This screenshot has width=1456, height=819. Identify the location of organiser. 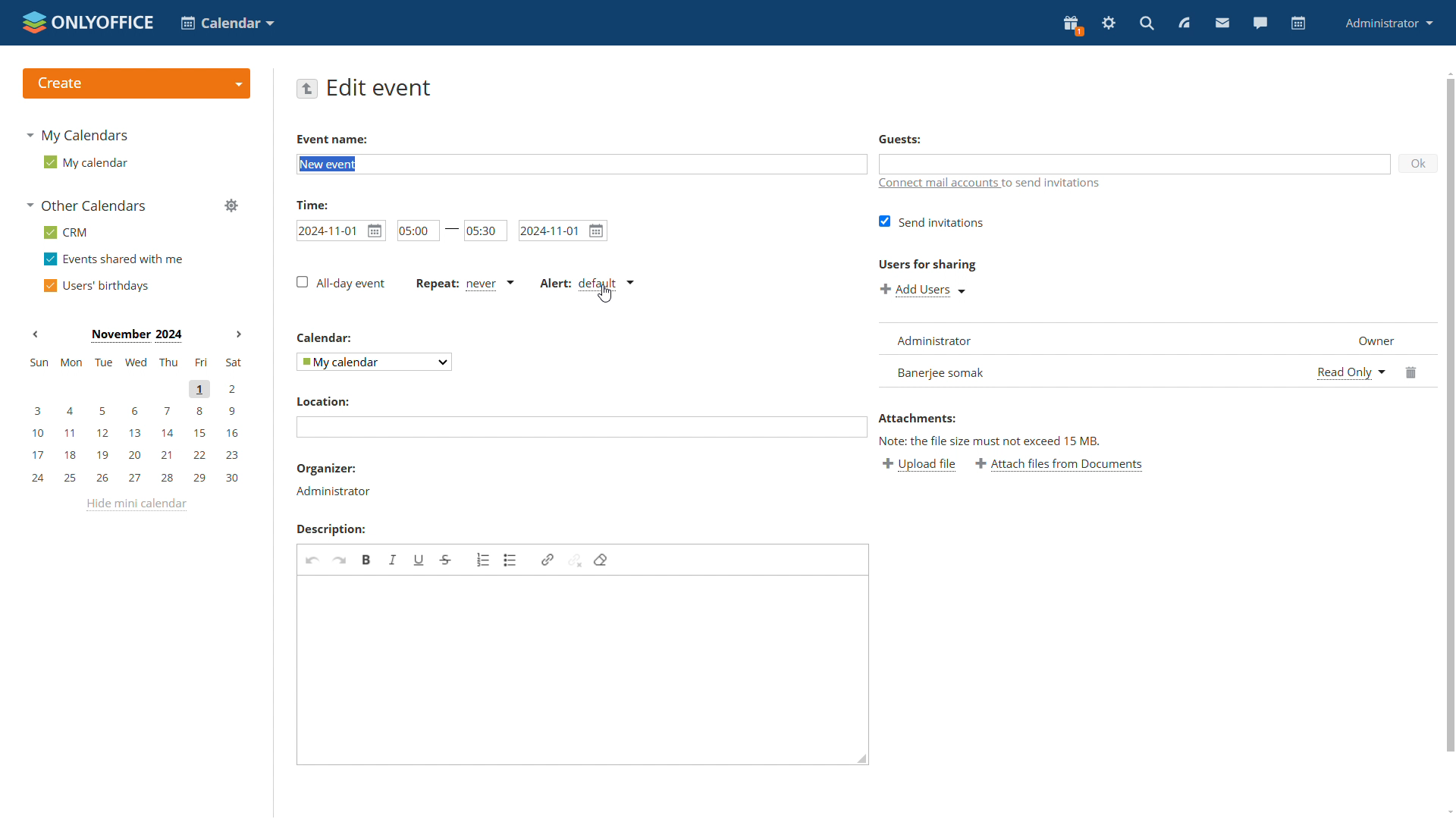
(326, 469).